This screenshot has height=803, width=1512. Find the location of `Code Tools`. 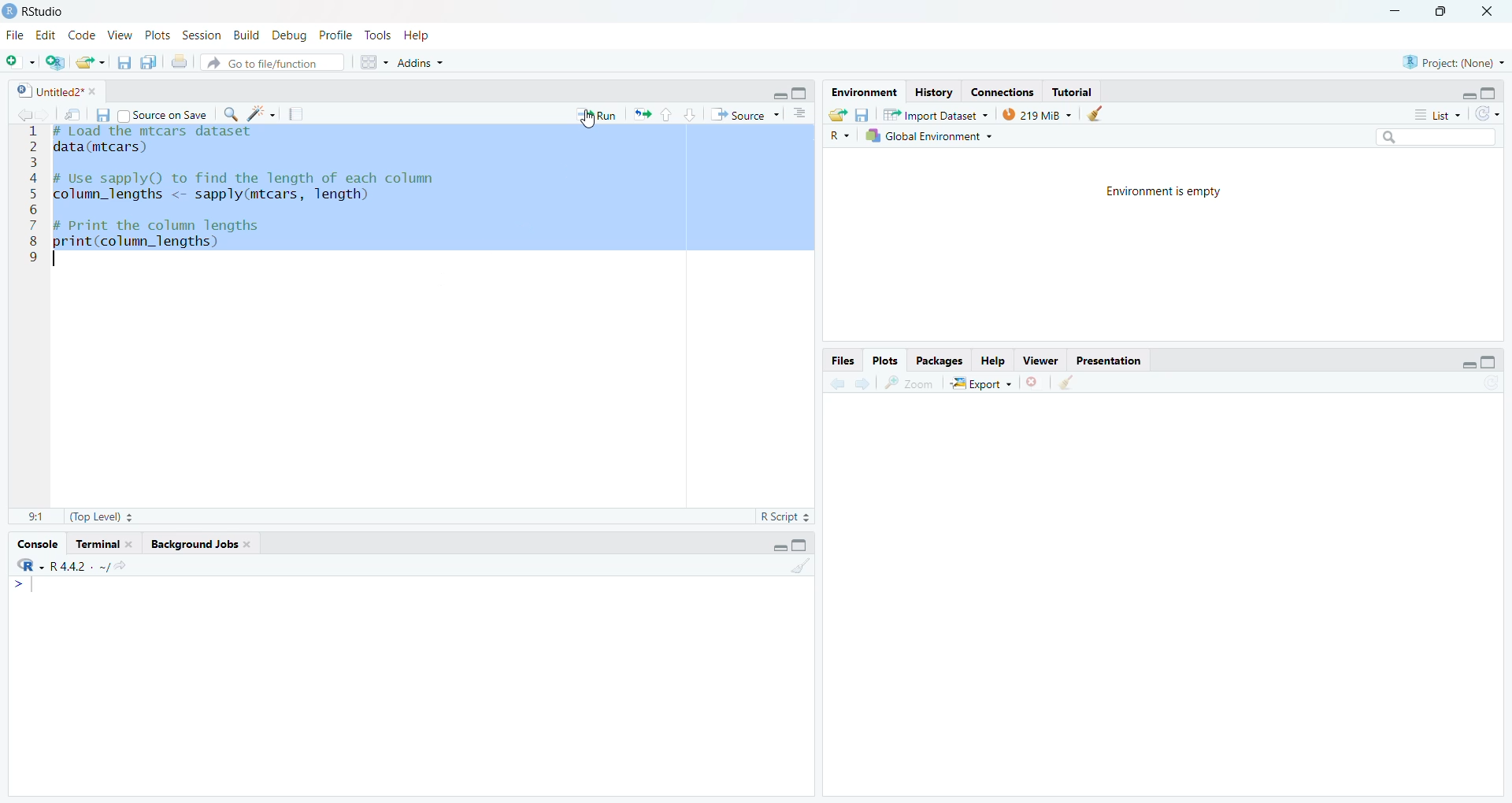

Code Tools is located at coordinates (261, 113).